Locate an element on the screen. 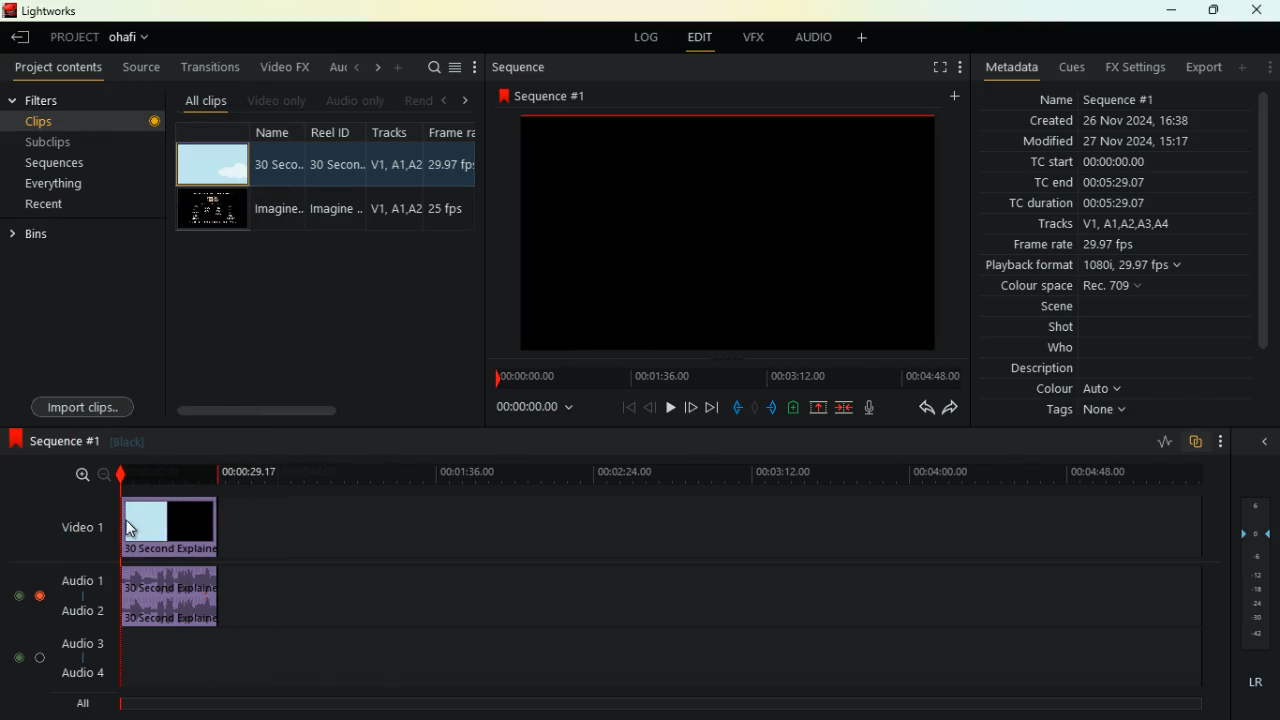 This screenshot has height=720, width=1280. more is located at coordinates (958, 69).